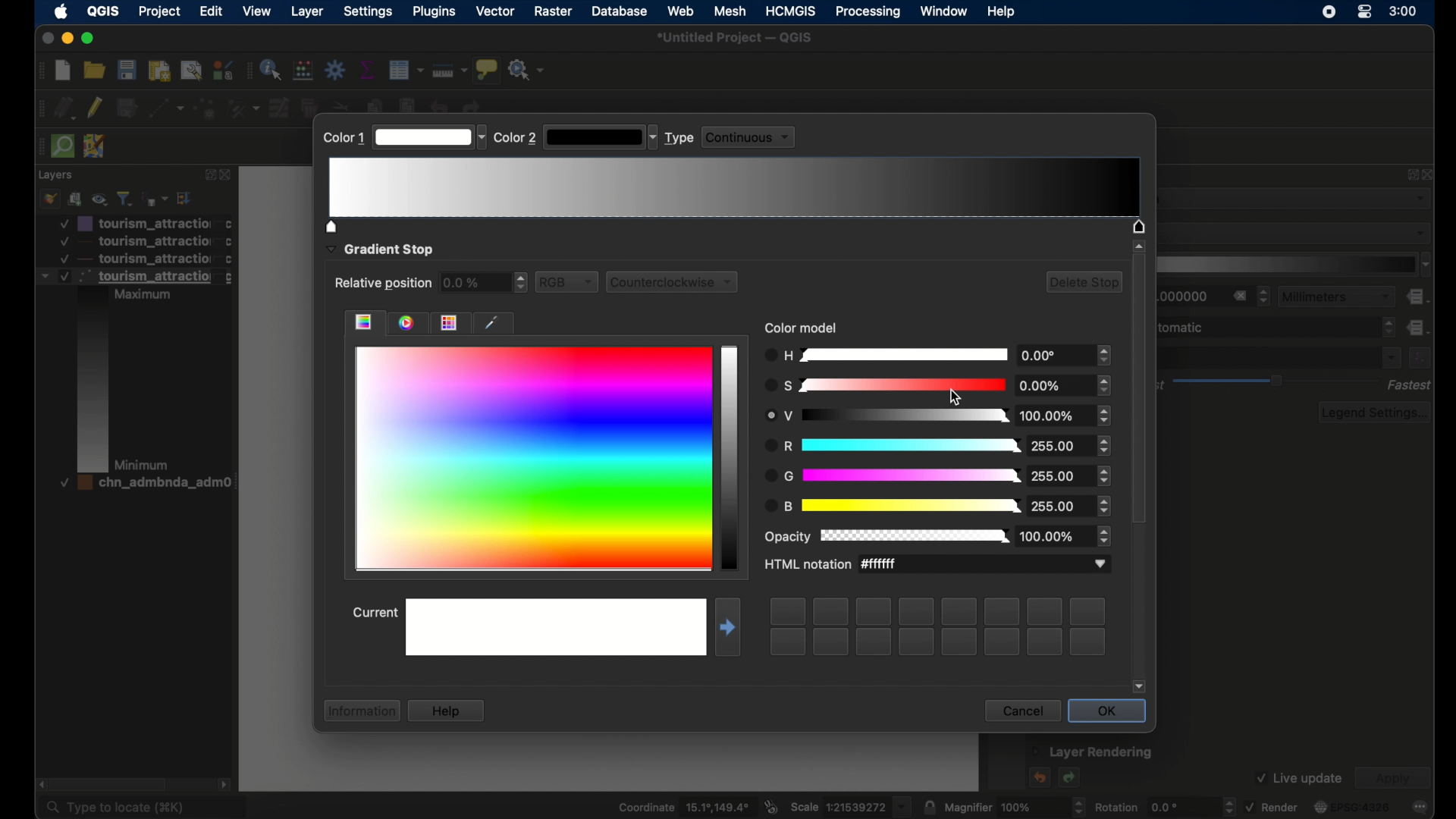 The image size is (1456, 819). What do you see at coordinates (1140, 687) in the screenshot?
I see `scroll down arrow` at bounding box center [1140, 687].